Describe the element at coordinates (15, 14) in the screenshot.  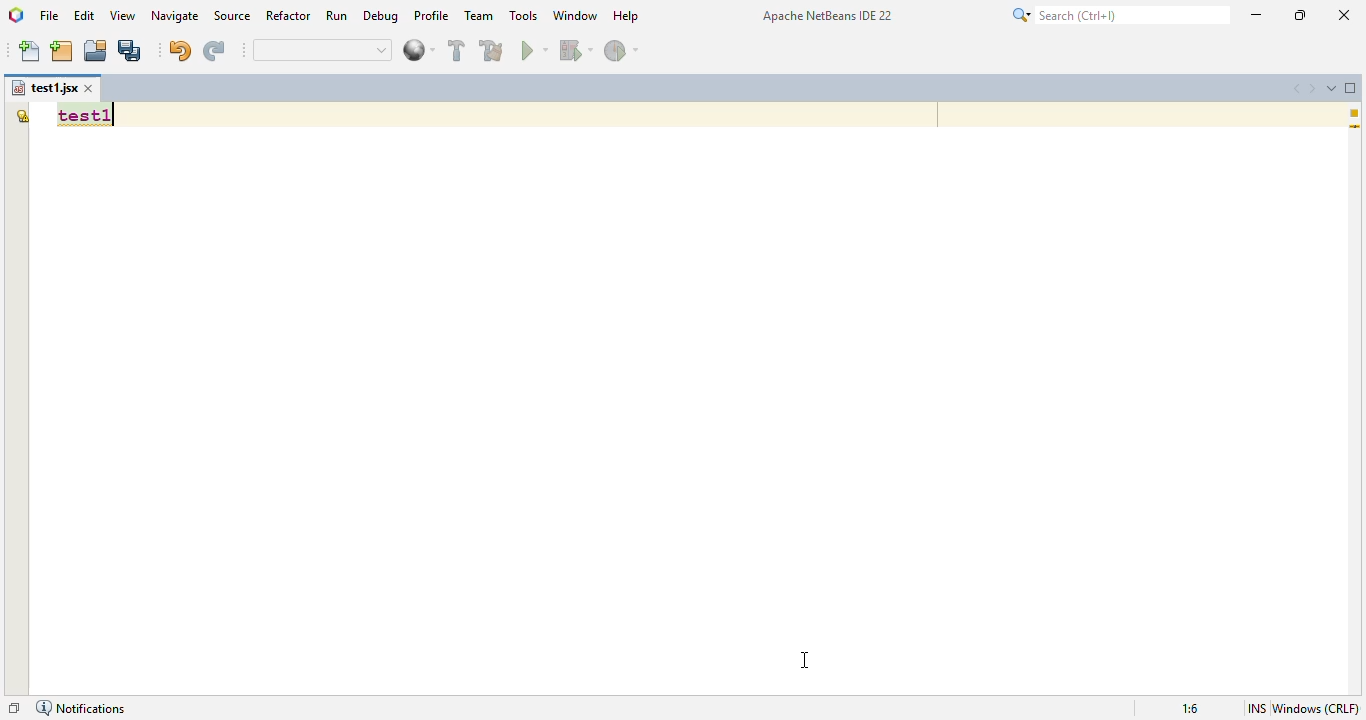
I see `logo` at that location.